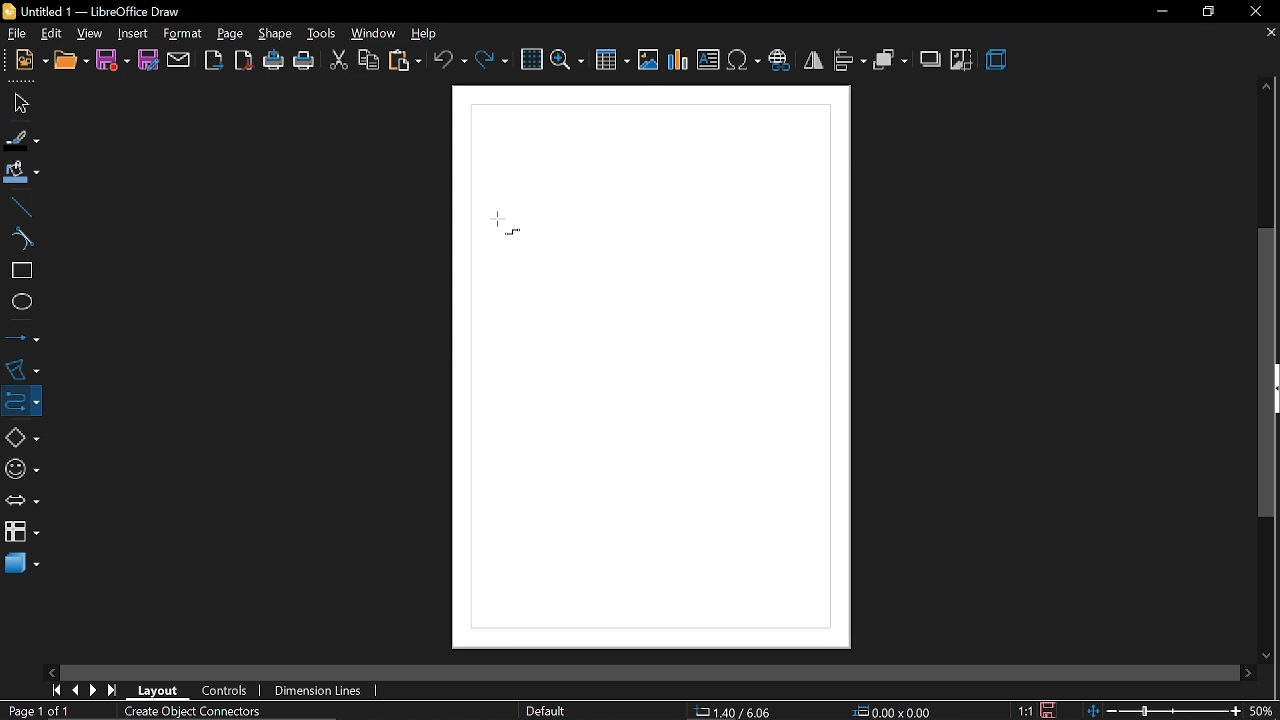 This screenshot has width=1280, height=720. I want to click on copy, so click(367, 62).